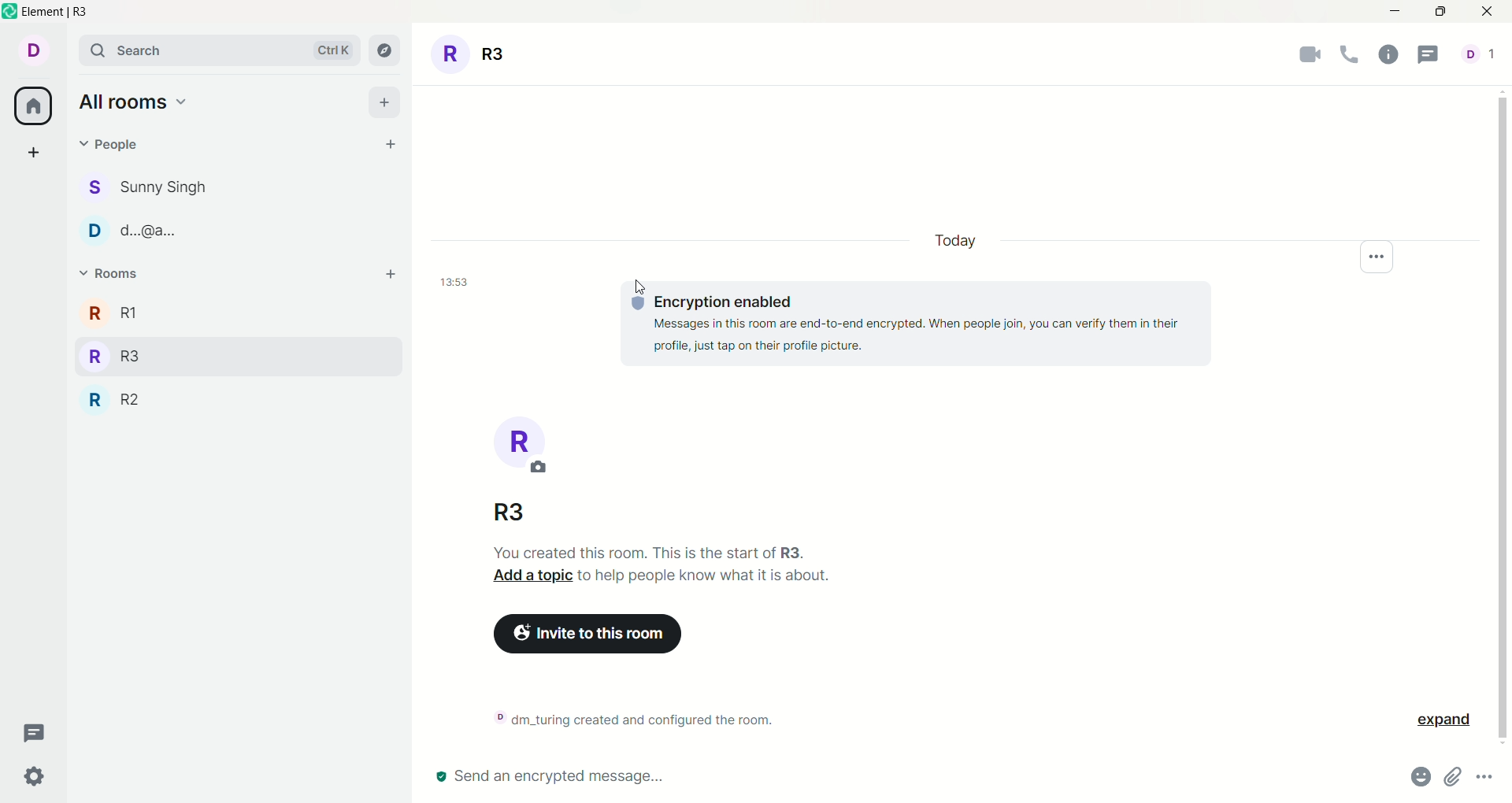 The width and height of the screenshot is (1512, 803). I want to click on rooms, so click(109, 269).